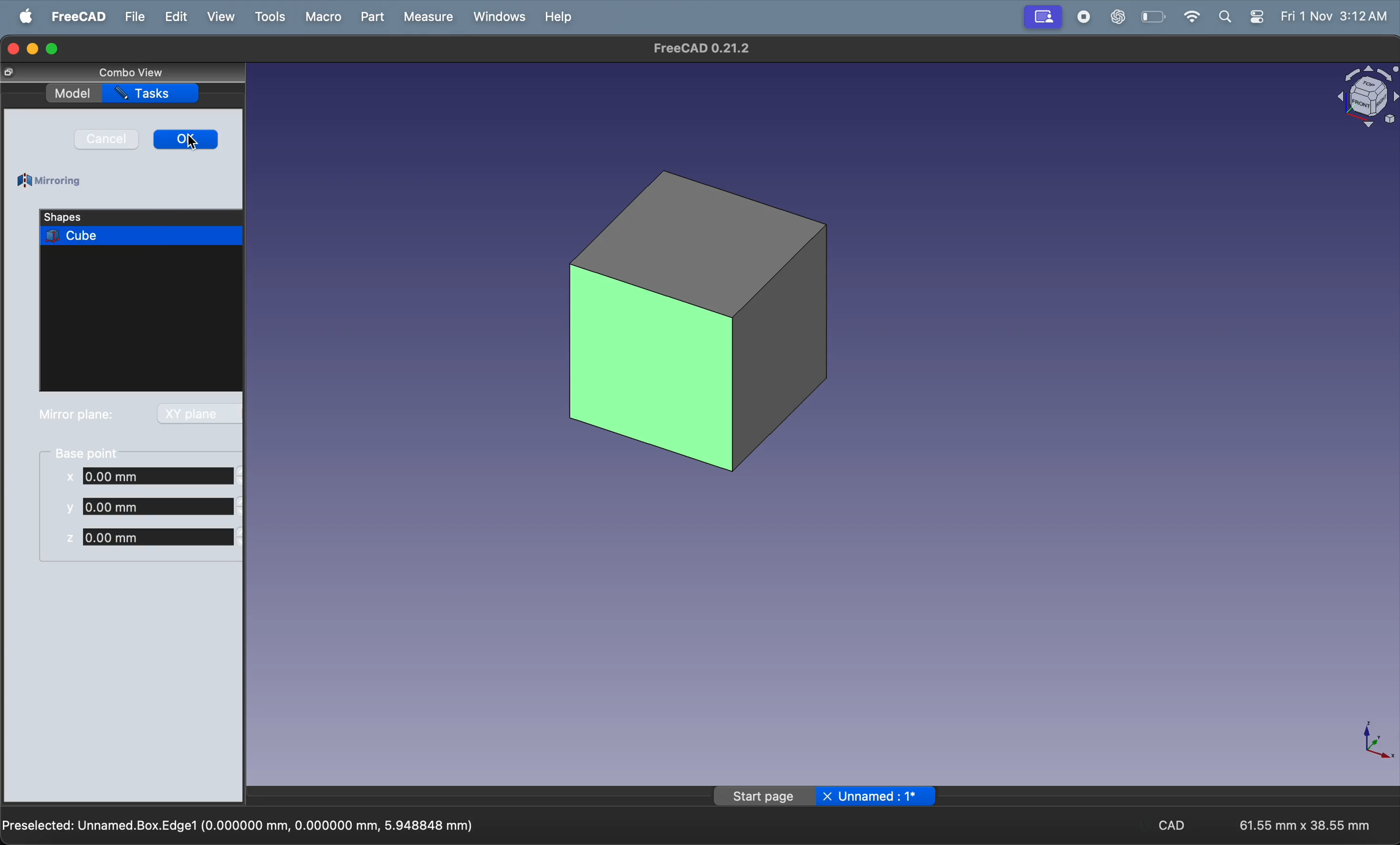 The width and height of the screenshot is (1400, 845). I want to click on axis, so click(1368, 742).